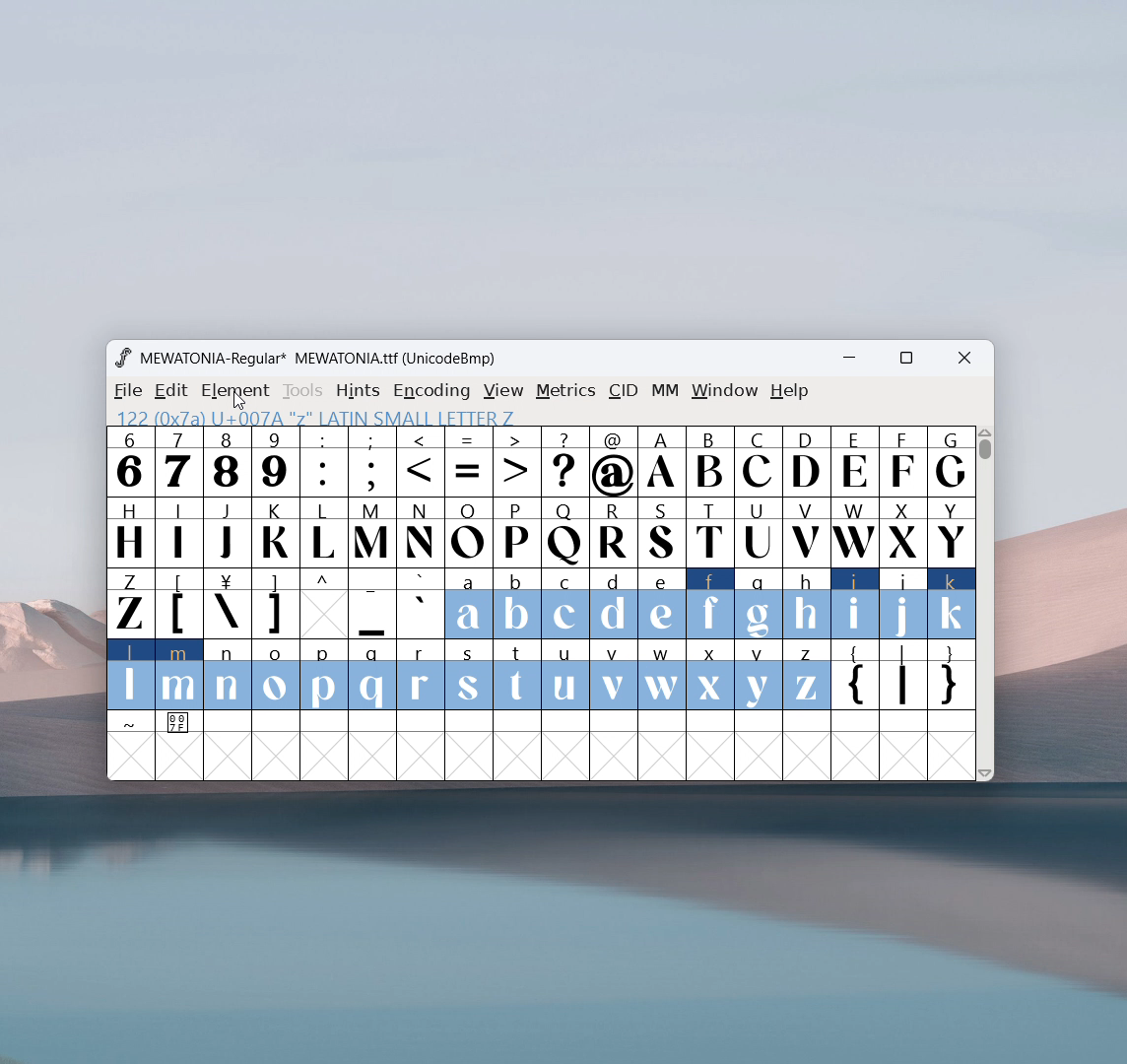 The height and width of the screenshot is (1064, 1127). What do you see at coordinates (565, 463) in the screenshot?
I see `?` at bounding box center [565, 463].